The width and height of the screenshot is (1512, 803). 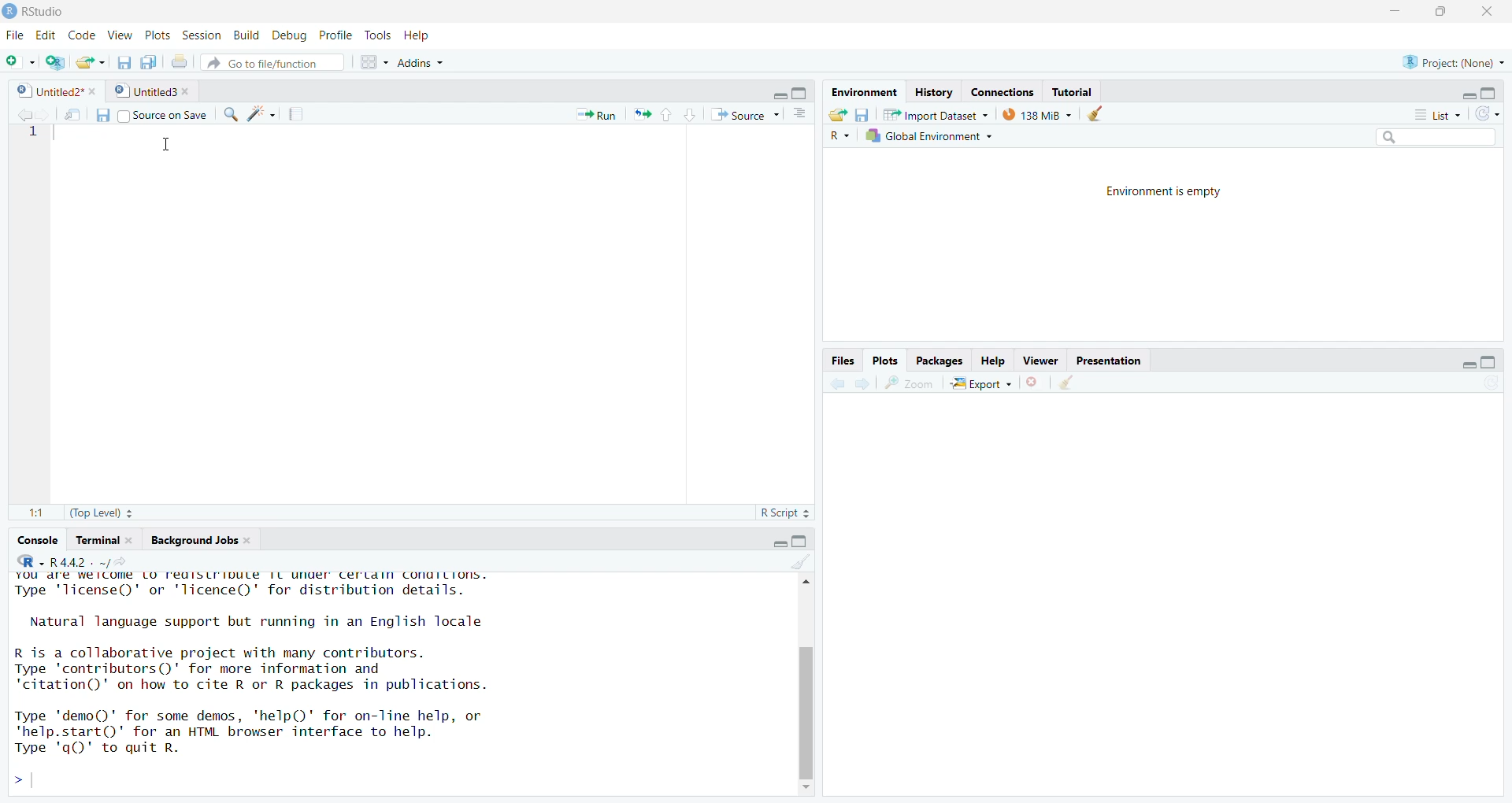 I want to click on Terminal, so click(x=101, y=538).